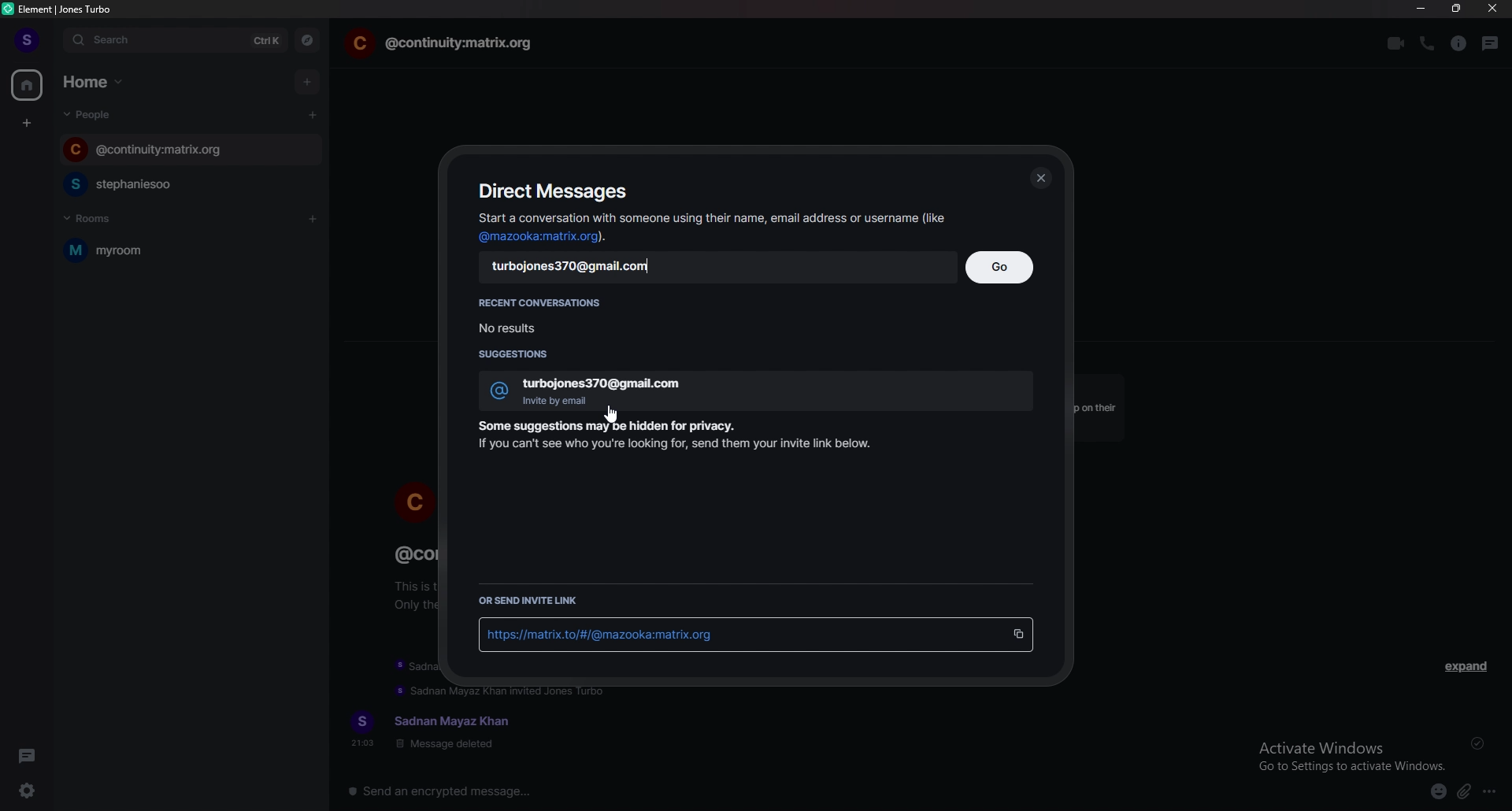  What do you see at coordinates (1492, 9) in the screenshot?
I see `close` at bounding box center [1492, 9].